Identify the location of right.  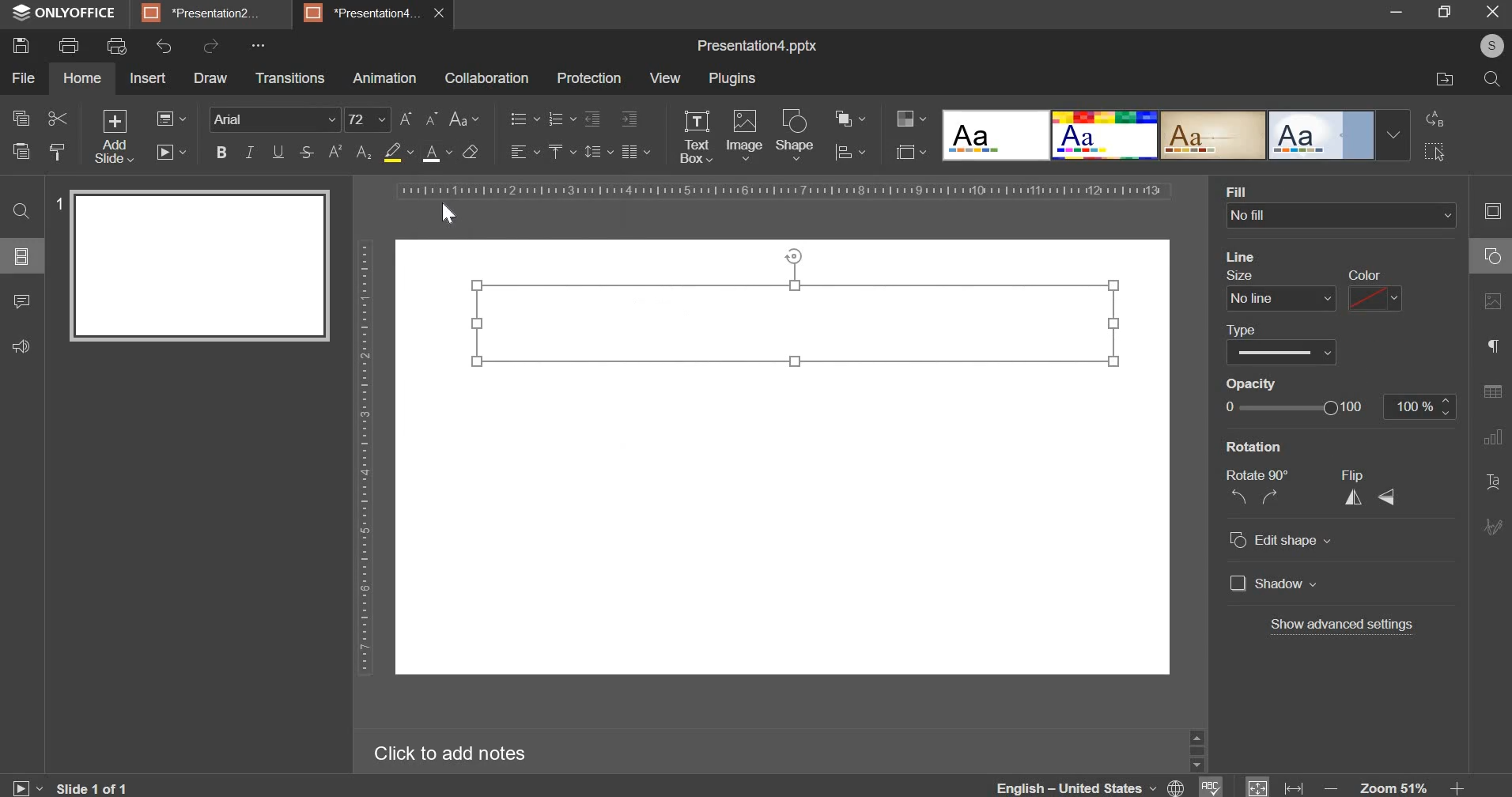
(1270, 499).